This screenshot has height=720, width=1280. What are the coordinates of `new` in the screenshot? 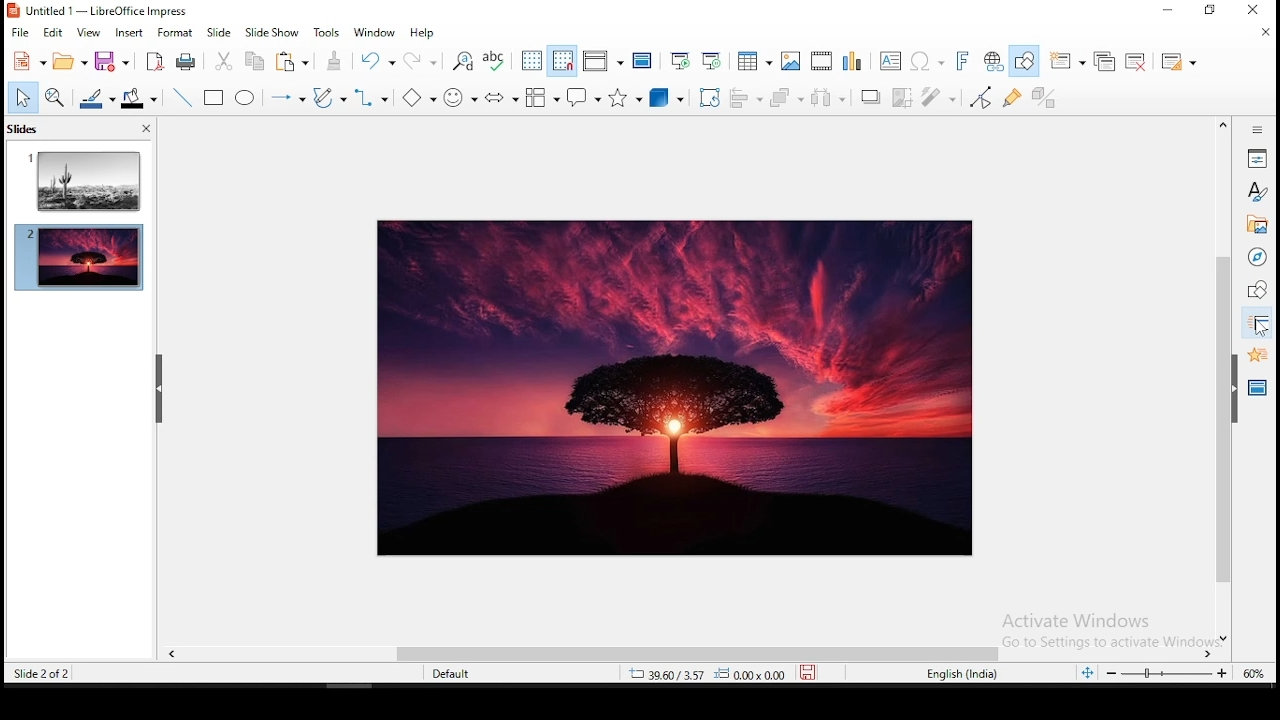 It's located at (25, 64).